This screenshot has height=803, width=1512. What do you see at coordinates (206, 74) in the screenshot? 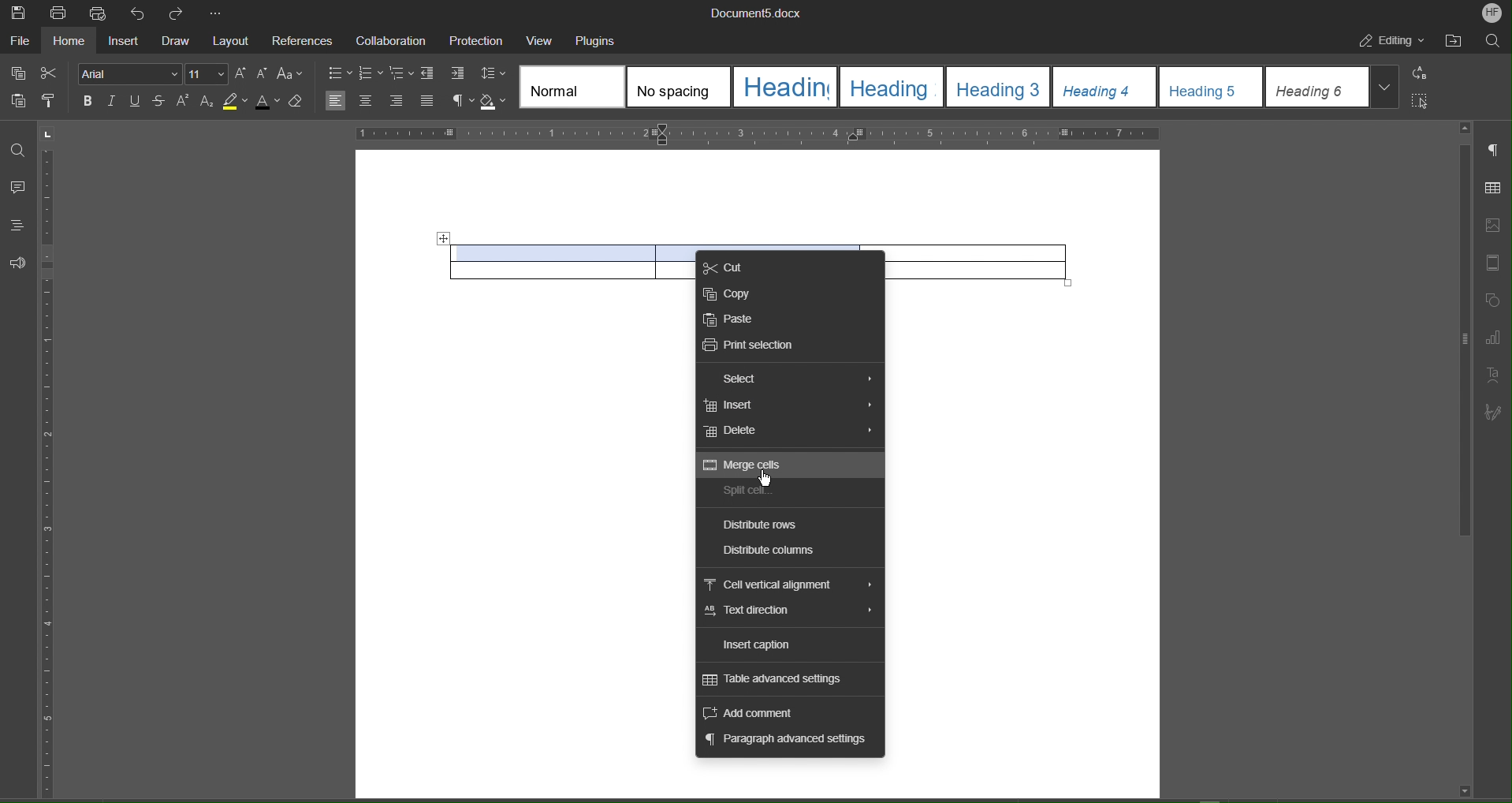
I see `Font Size` at bounding box center [206, 74].